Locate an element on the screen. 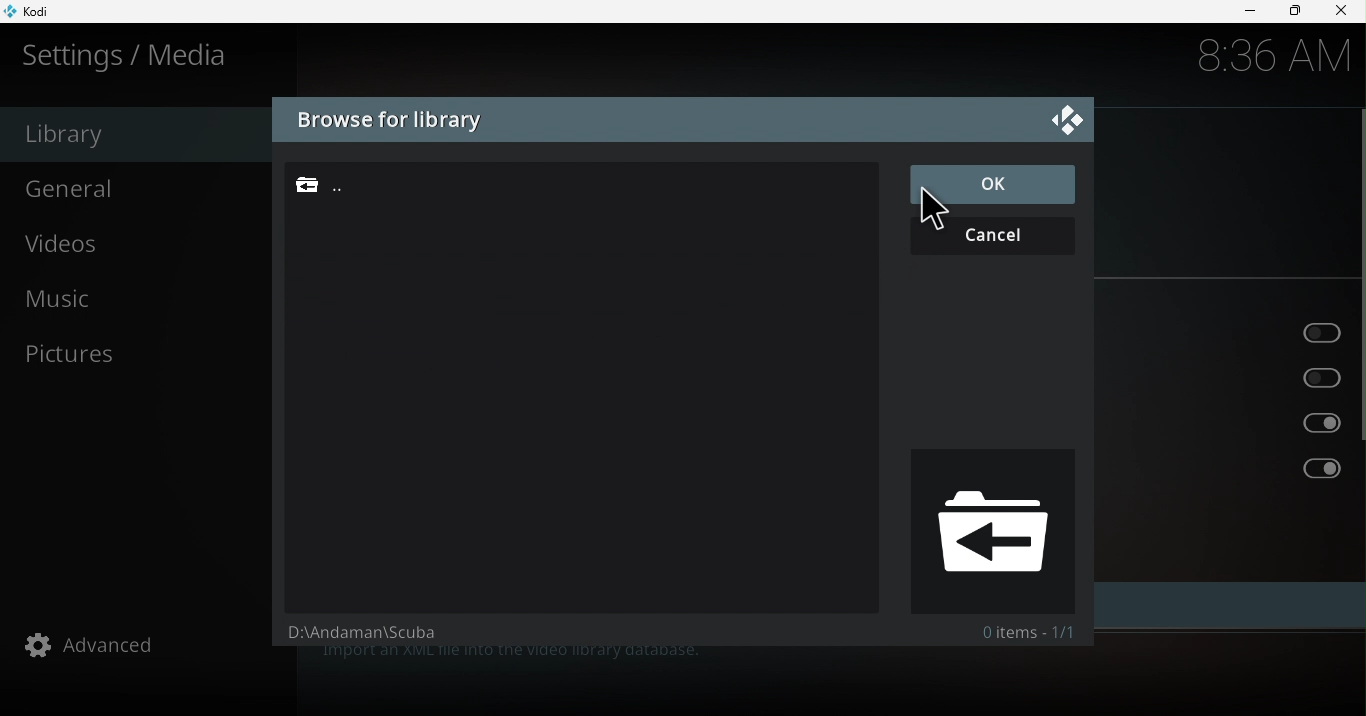 Image resolution: width=1366 pixels, height=716 pixels. Advanced is located at coordinates (149, 644).